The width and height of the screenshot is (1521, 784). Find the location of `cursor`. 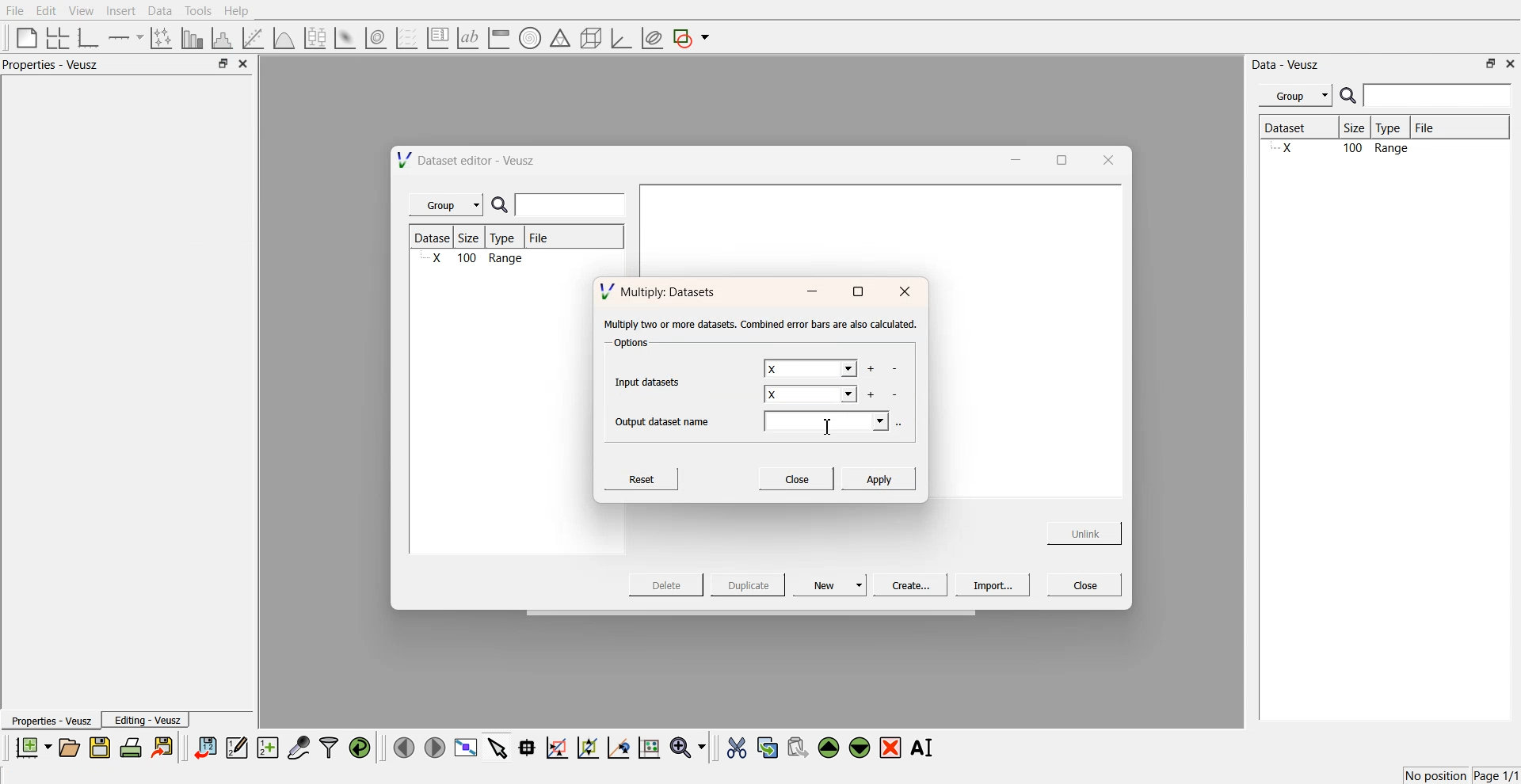

cursor is located at coordinates (830, 427).